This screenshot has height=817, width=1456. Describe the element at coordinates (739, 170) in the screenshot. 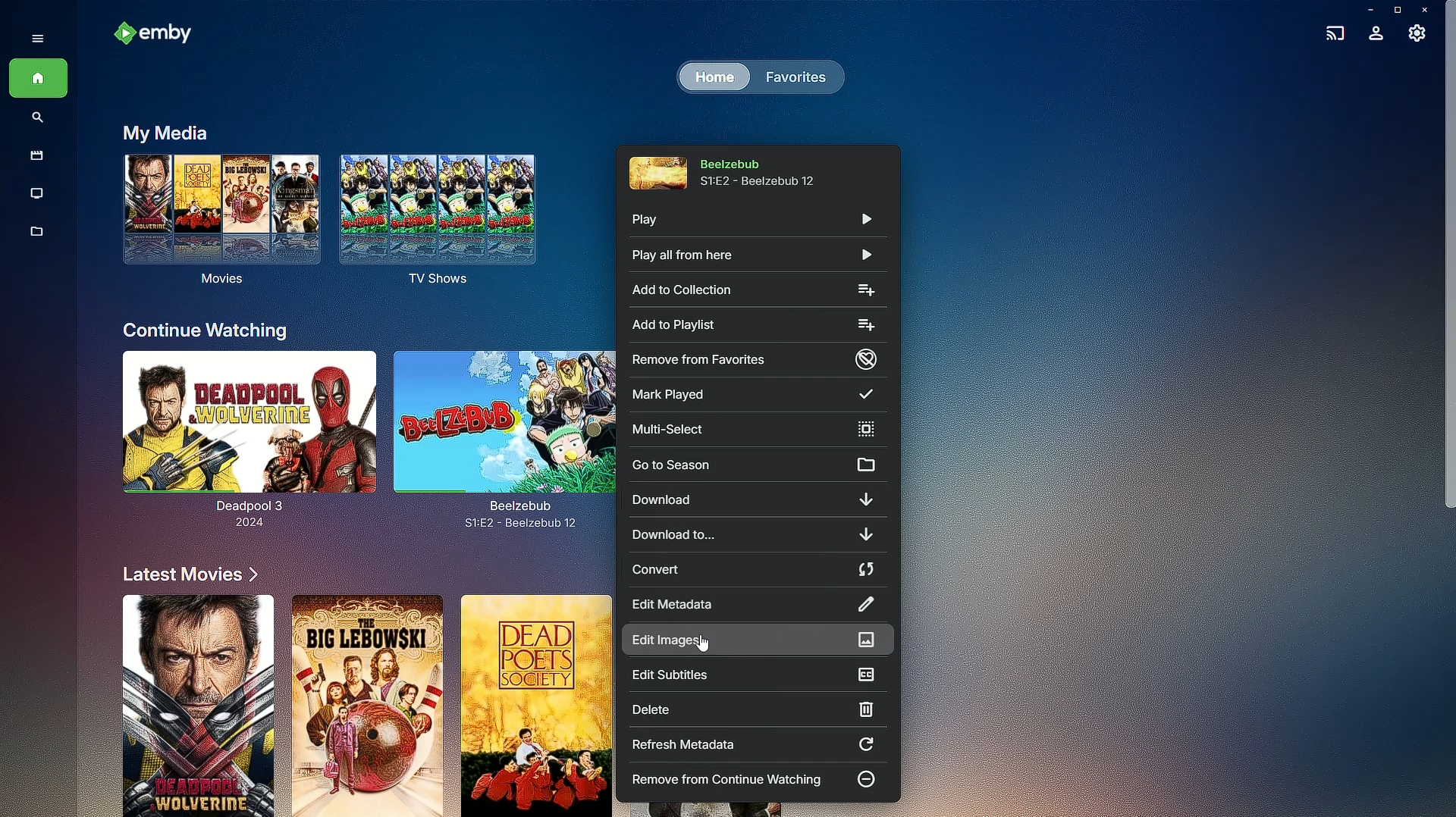

I see `Beelzebub` at that location.